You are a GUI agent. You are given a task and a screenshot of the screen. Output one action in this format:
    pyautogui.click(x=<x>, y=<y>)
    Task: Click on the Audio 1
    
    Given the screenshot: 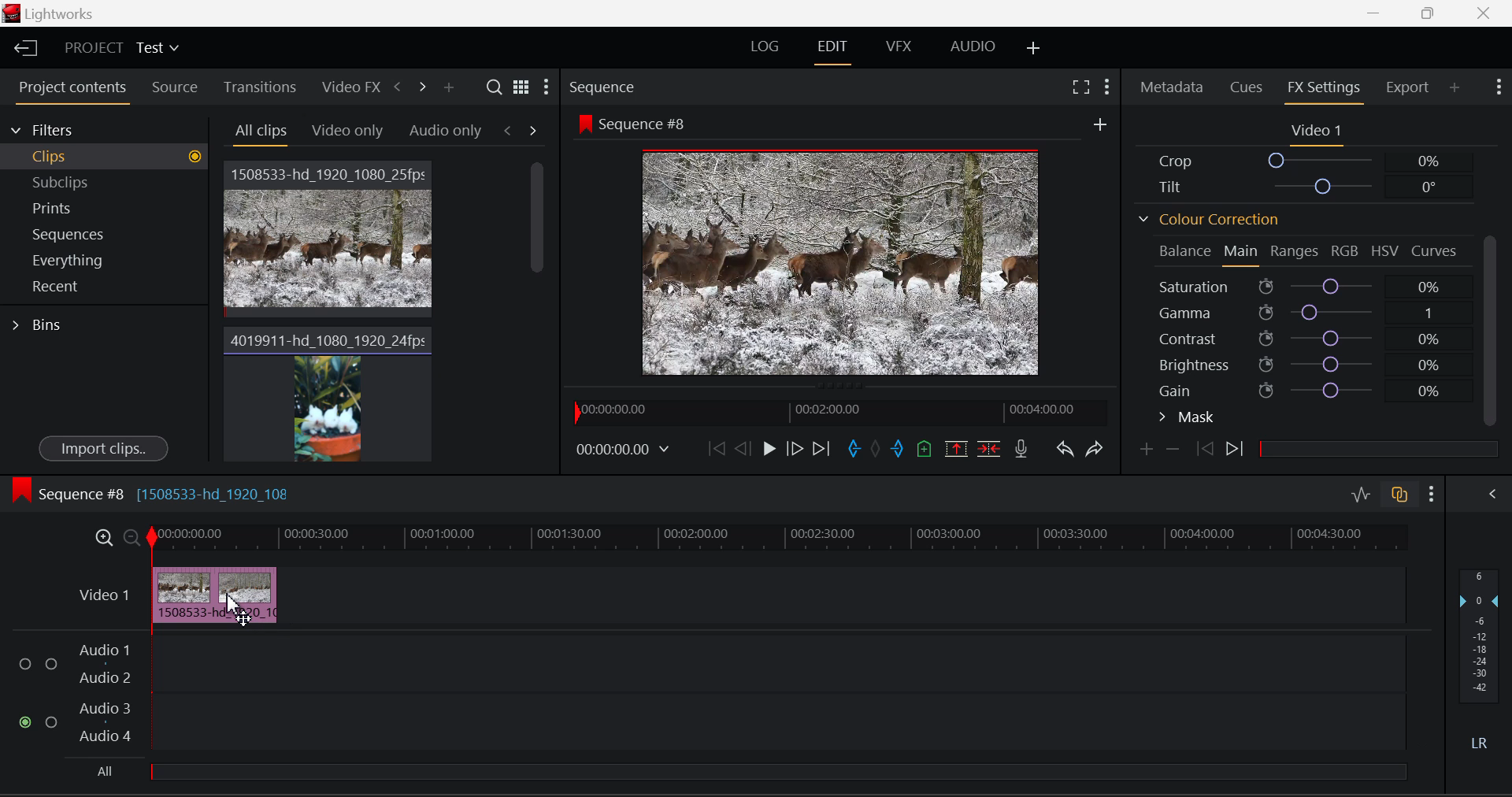 What is the action you would take?
    pyautogui.click(x=107, y=648)
    